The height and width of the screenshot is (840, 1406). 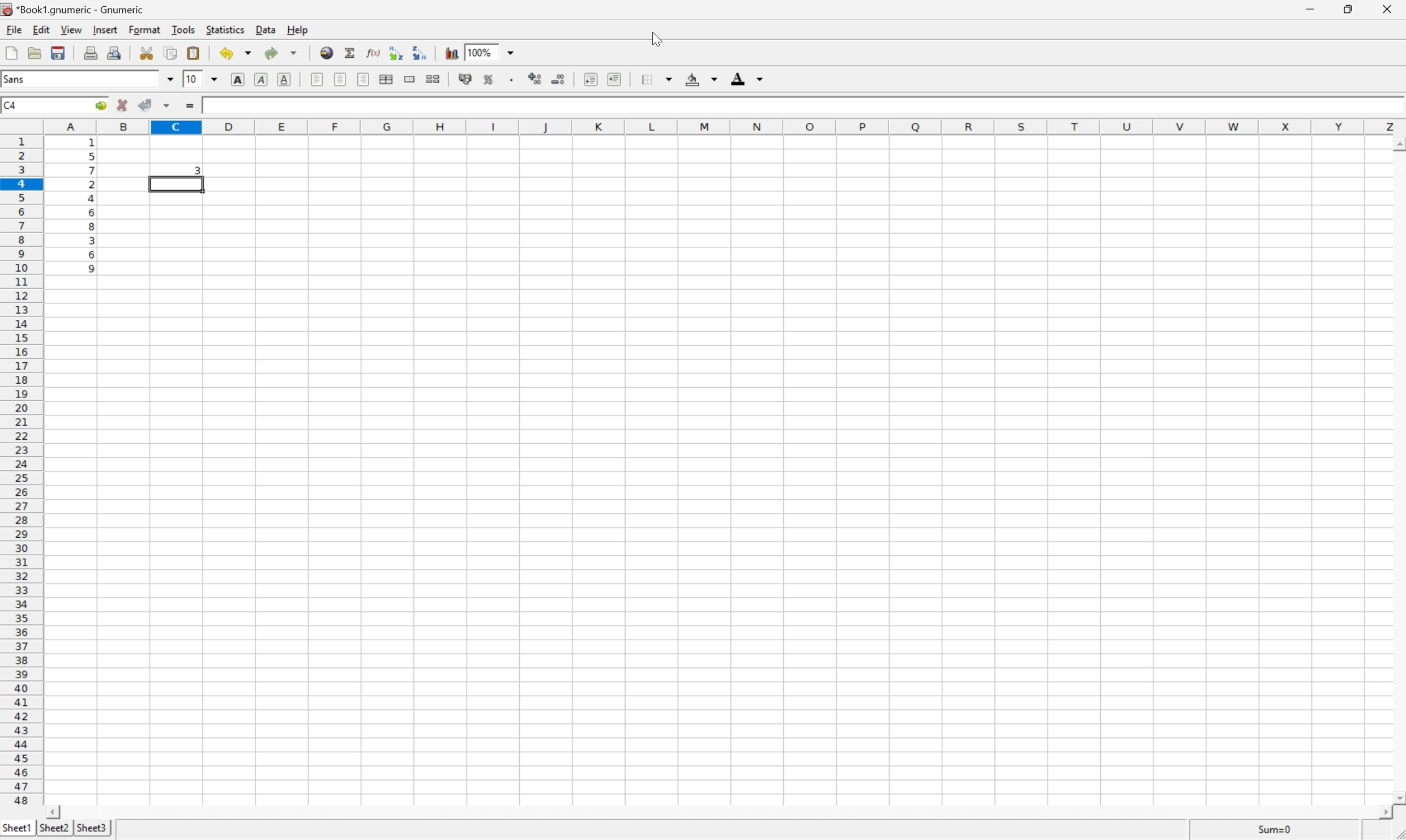 What do you see at coordinates (511, 80) in the screenshot?
I see `Set the format of the selected cells to include a thousands separator` at bounding box center [511, 80].